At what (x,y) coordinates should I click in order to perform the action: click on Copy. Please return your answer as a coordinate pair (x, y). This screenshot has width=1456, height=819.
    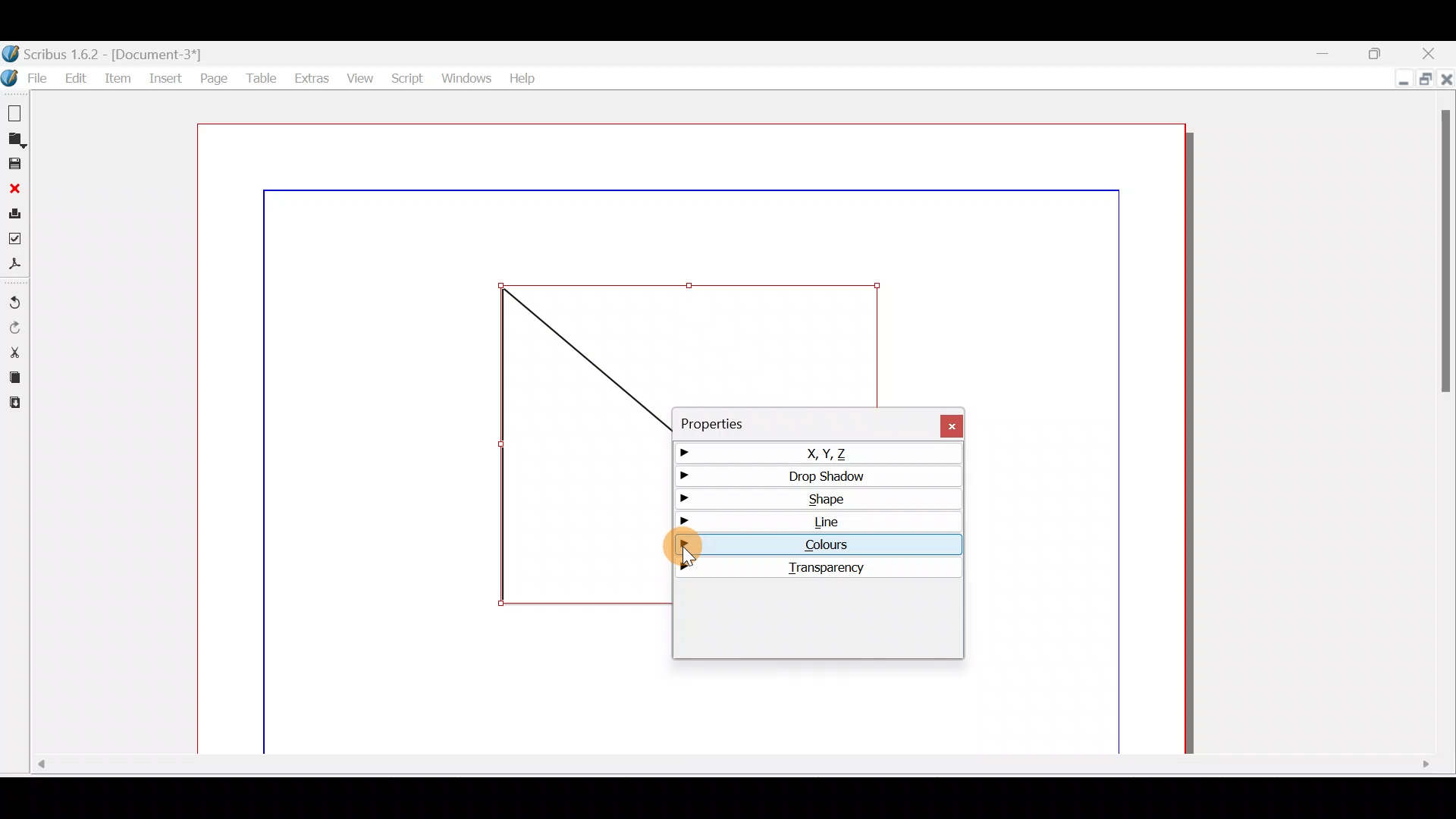
    Looking at the image, I should click on (14, 375).